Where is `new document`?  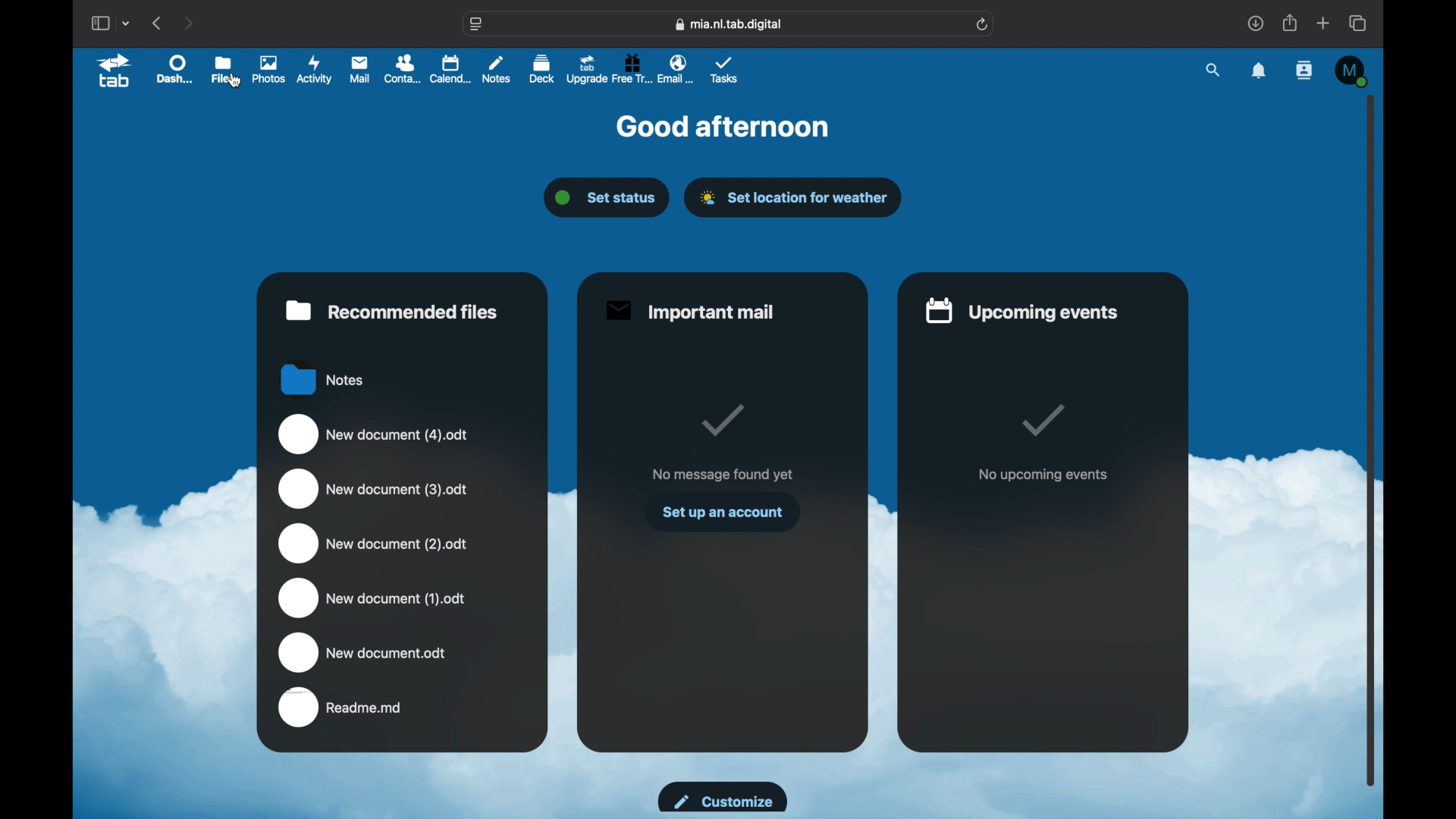 new document is located at coordinates (373, 544).